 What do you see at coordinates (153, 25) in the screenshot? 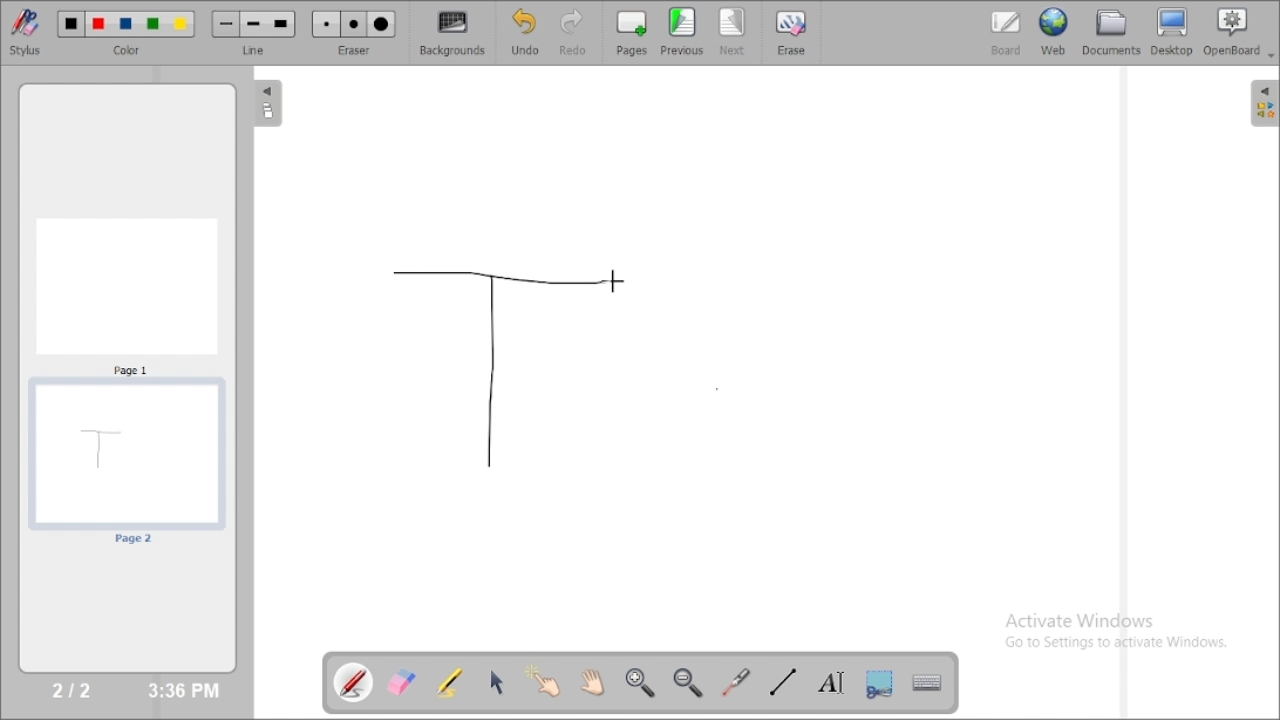
I see `Color 4` at bounding box center [153, 25].